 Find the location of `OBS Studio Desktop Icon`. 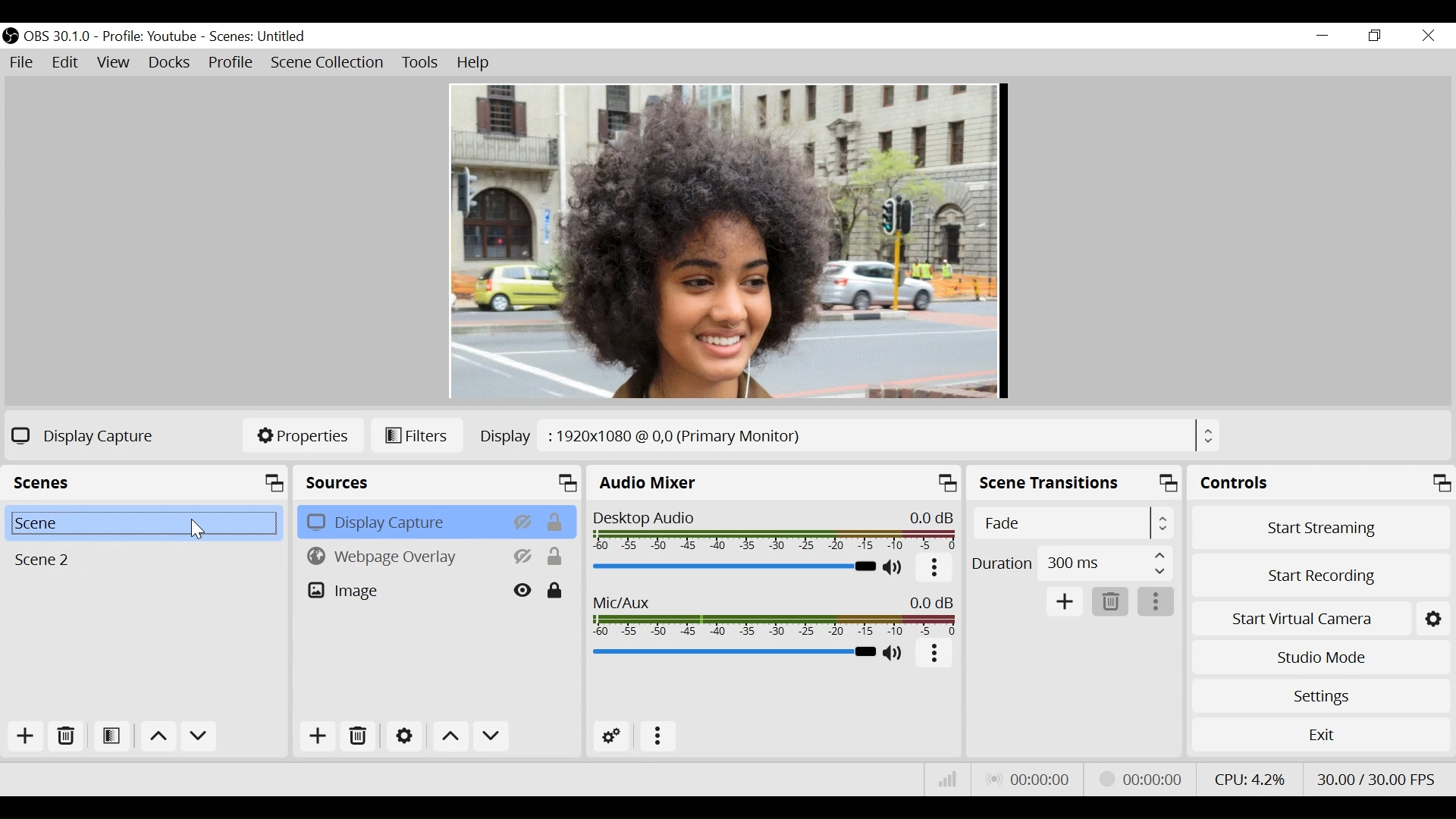

OBS Studio Desktop Icon is located at coordinates (11, 37).